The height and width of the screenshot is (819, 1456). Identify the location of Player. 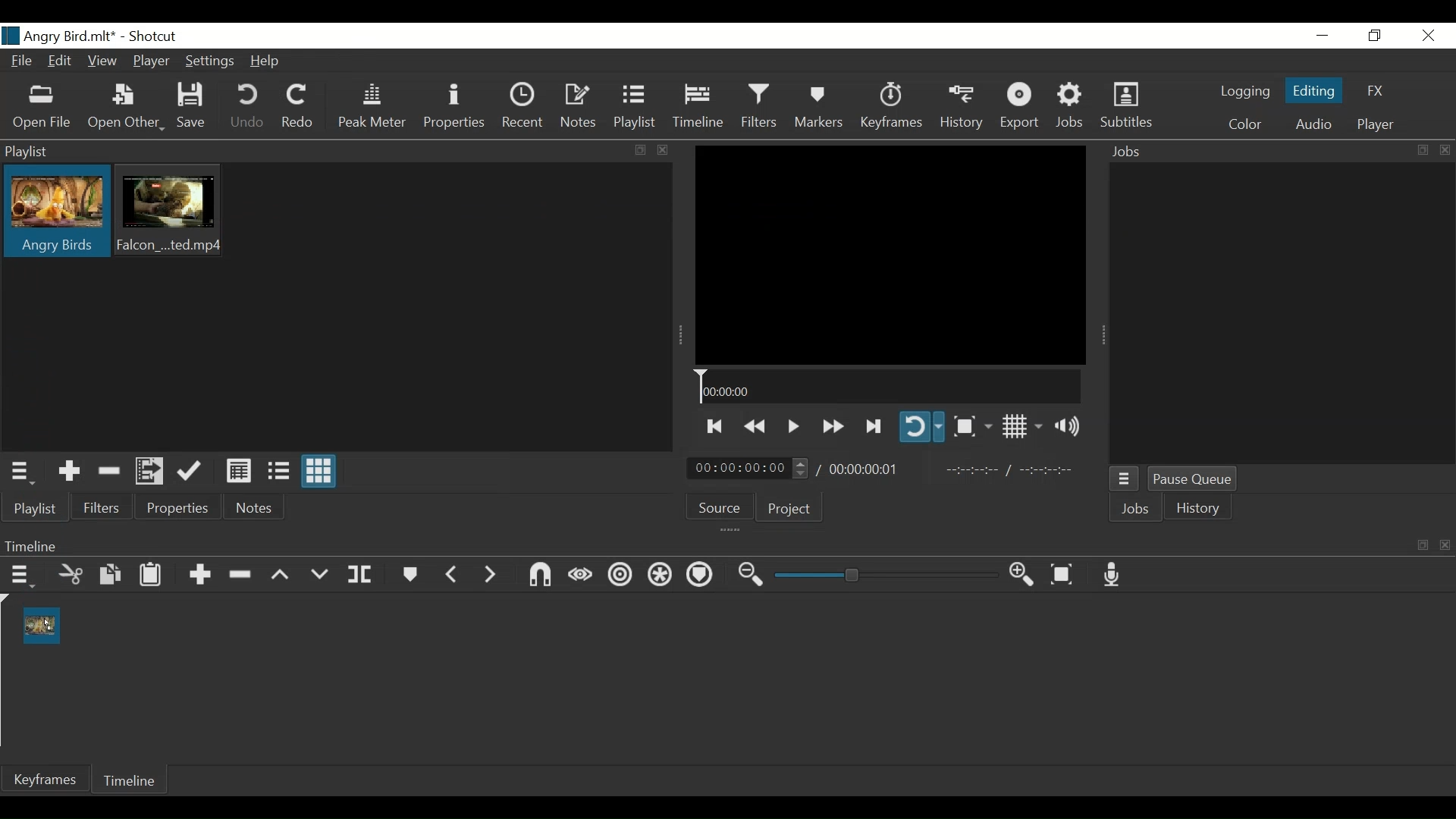
(1376, 122).